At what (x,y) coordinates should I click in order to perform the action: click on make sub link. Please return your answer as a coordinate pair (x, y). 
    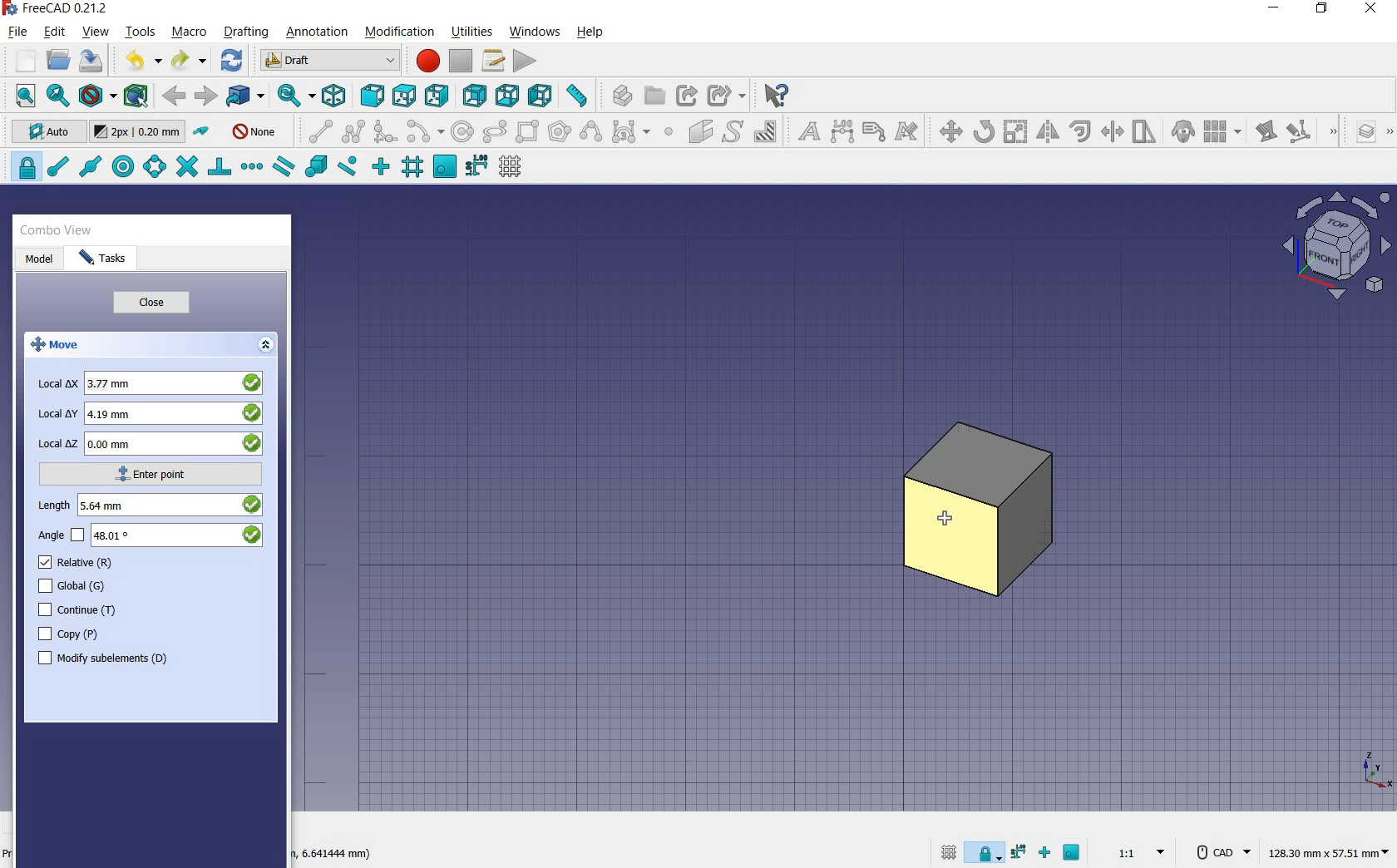
    Looking at the image, I should click on (726, 96).